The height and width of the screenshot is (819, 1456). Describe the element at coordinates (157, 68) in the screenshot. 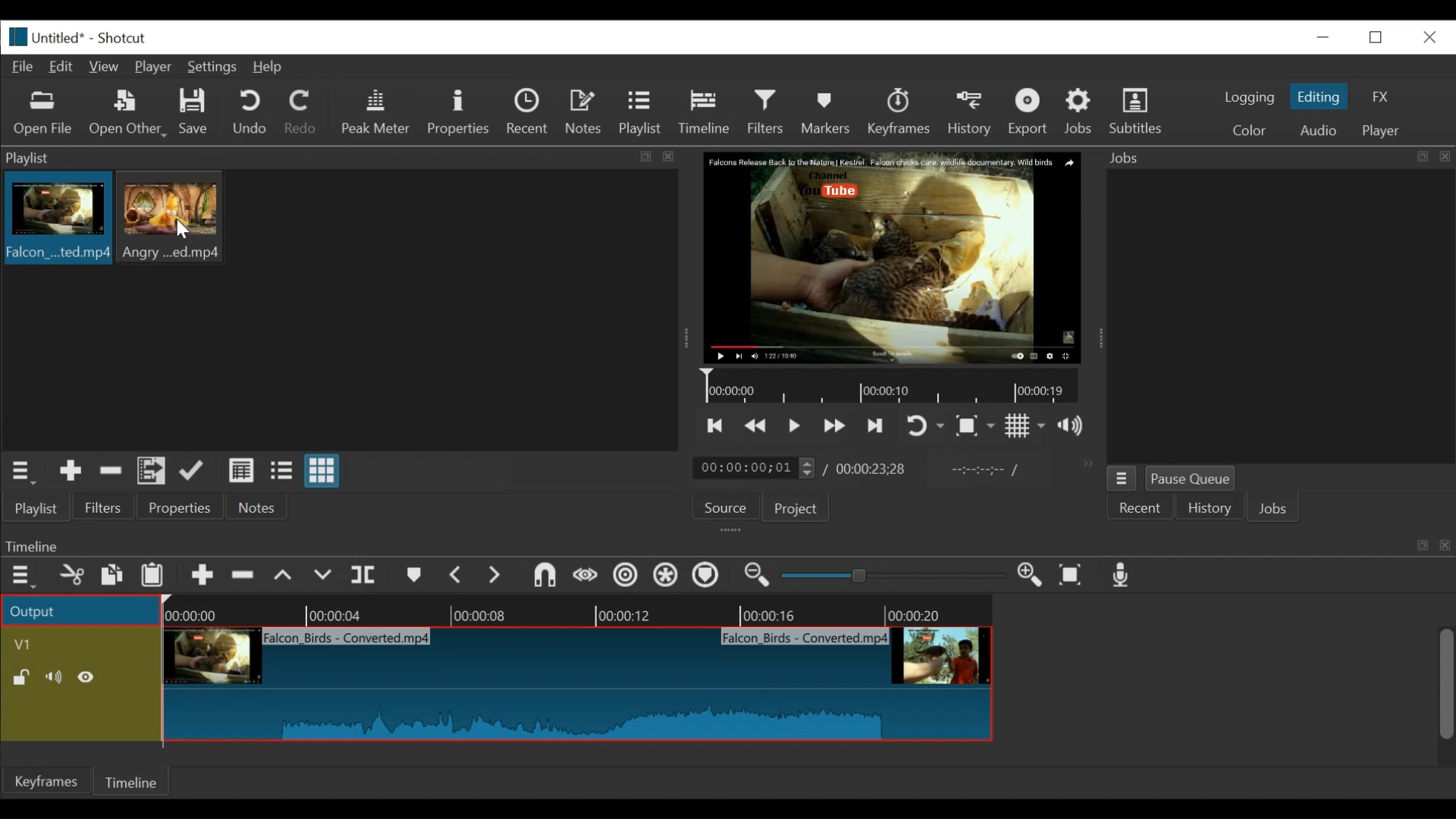

I see `Player` at that location.